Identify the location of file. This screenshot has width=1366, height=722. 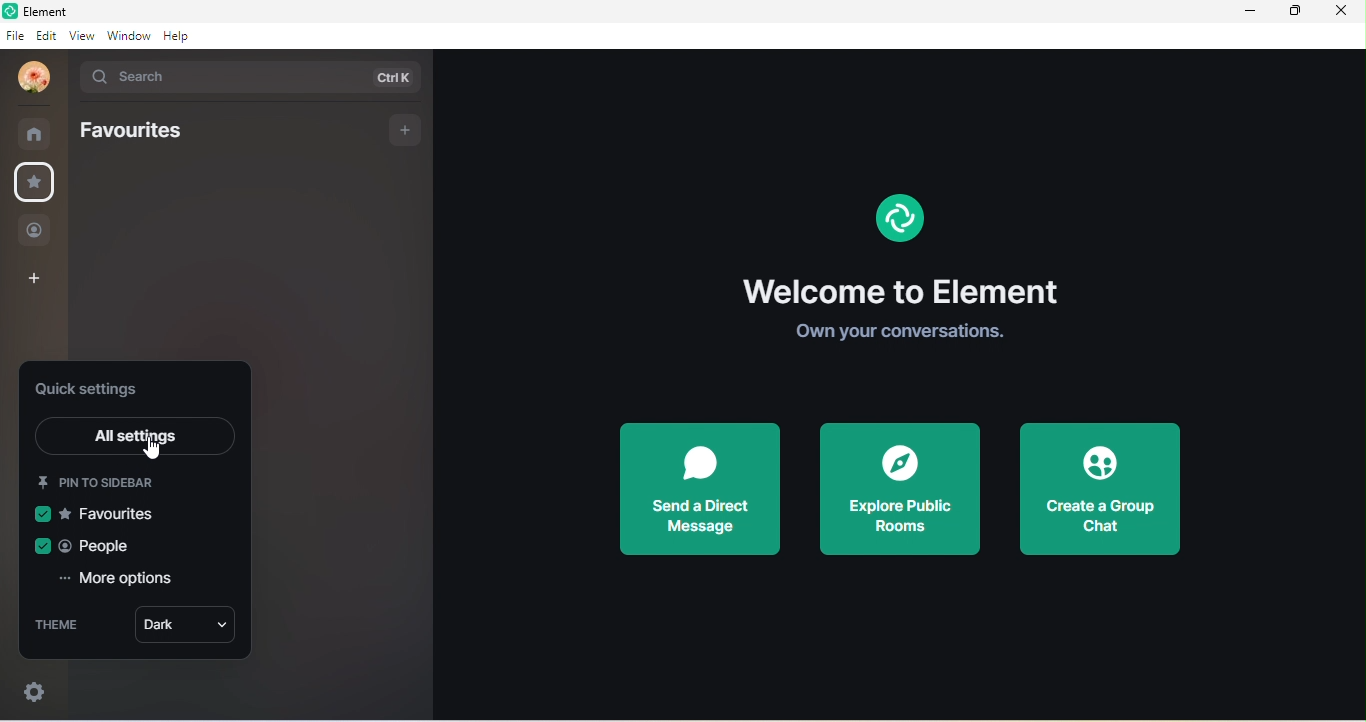
(14, 35).